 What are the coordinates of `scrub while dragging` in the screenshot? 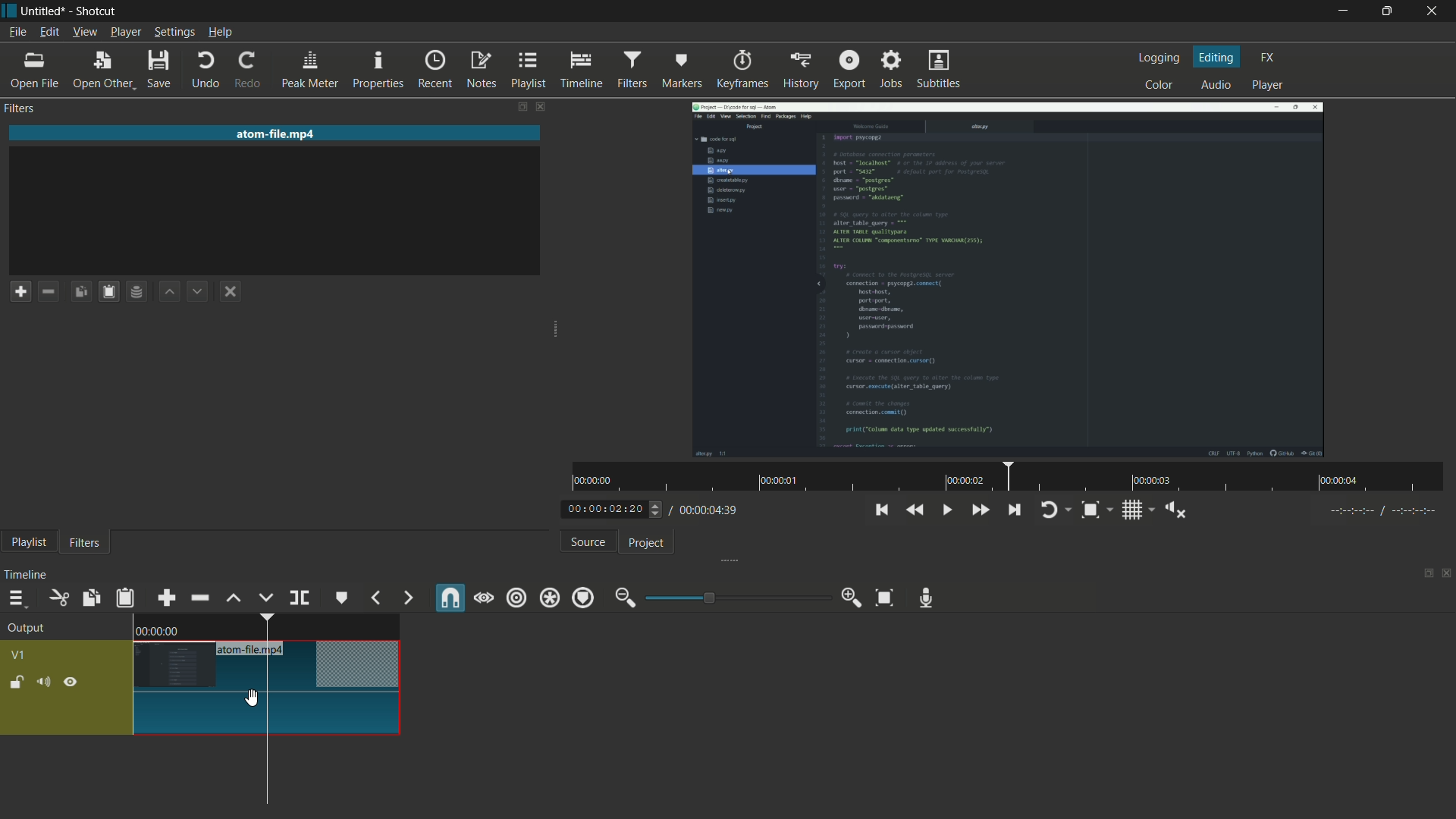 It's located at (483, 599).